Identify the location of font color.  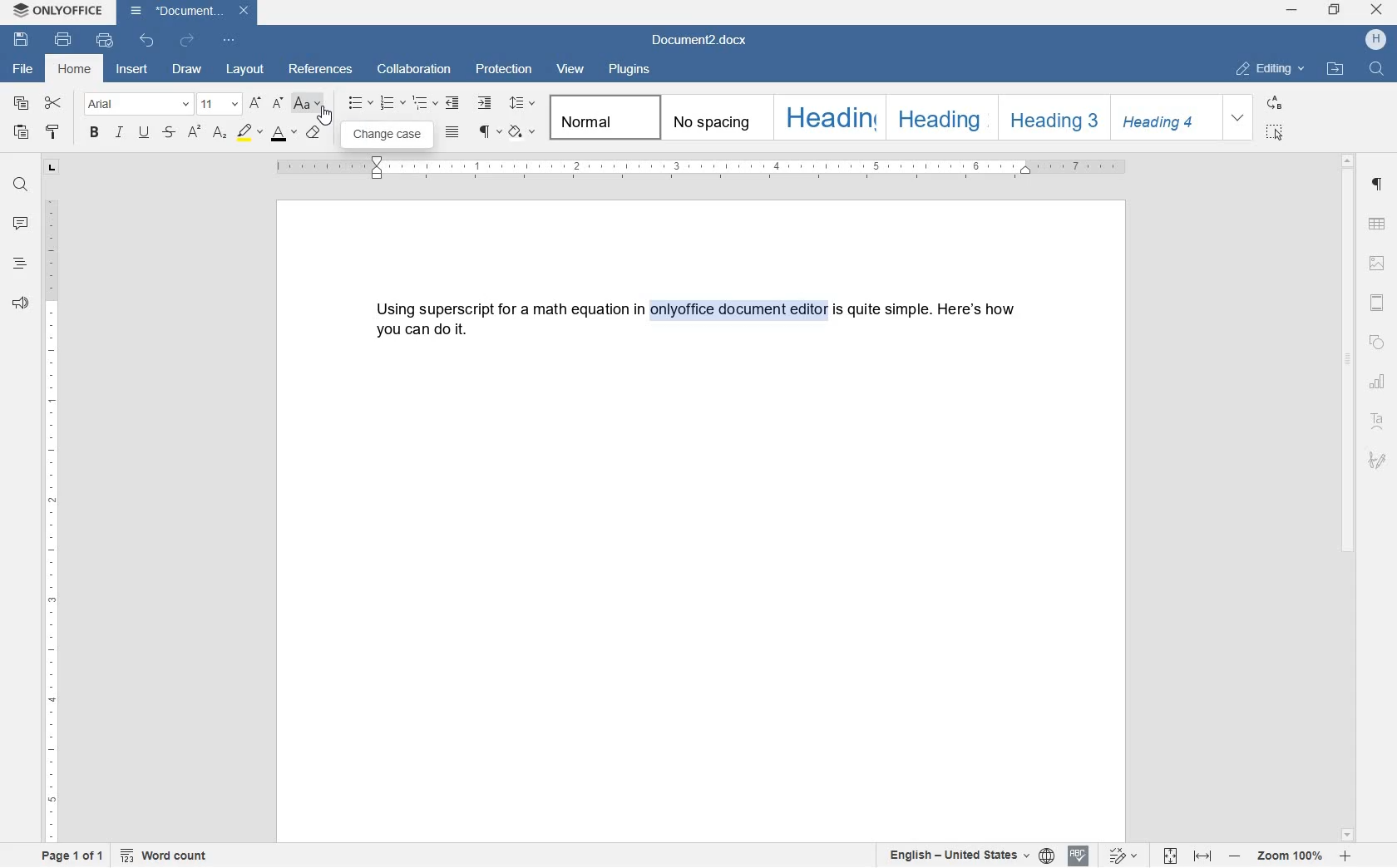
(284, 134).